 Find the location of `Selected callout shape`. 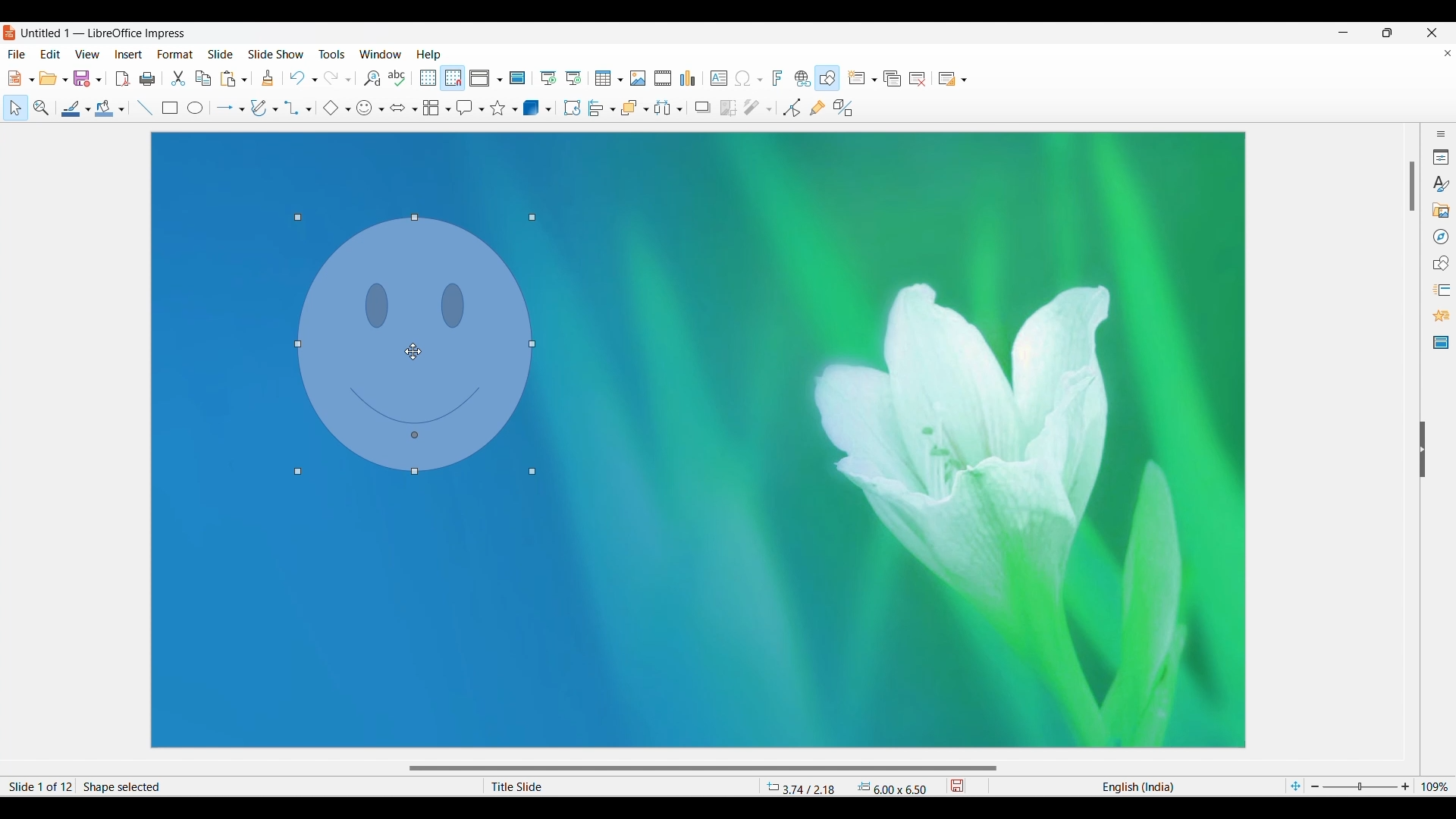

Selected callout shape is located at coordinates (466, 108).